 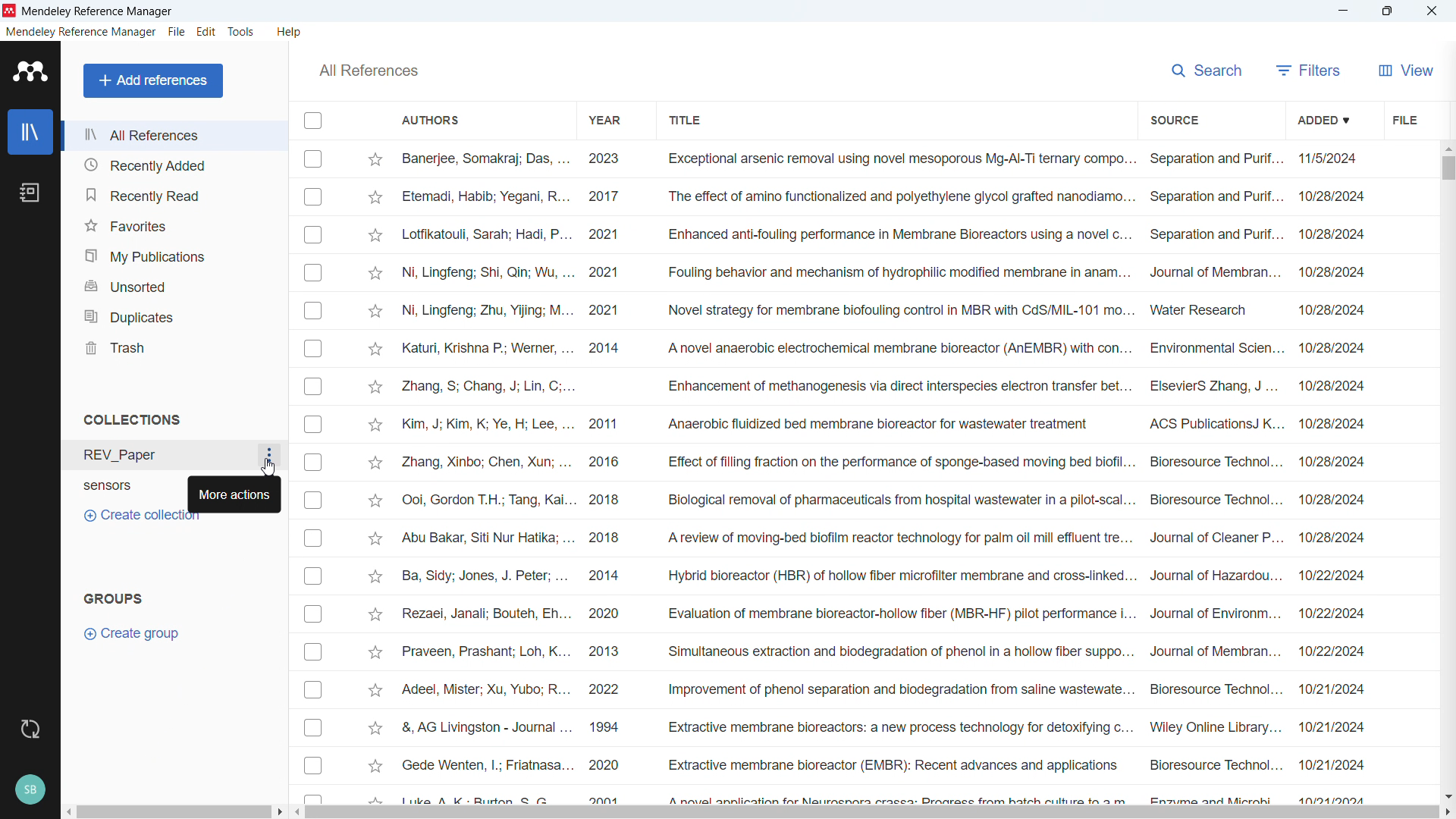 I want to click on Star mark respective publication, so click(x=376, y=160).